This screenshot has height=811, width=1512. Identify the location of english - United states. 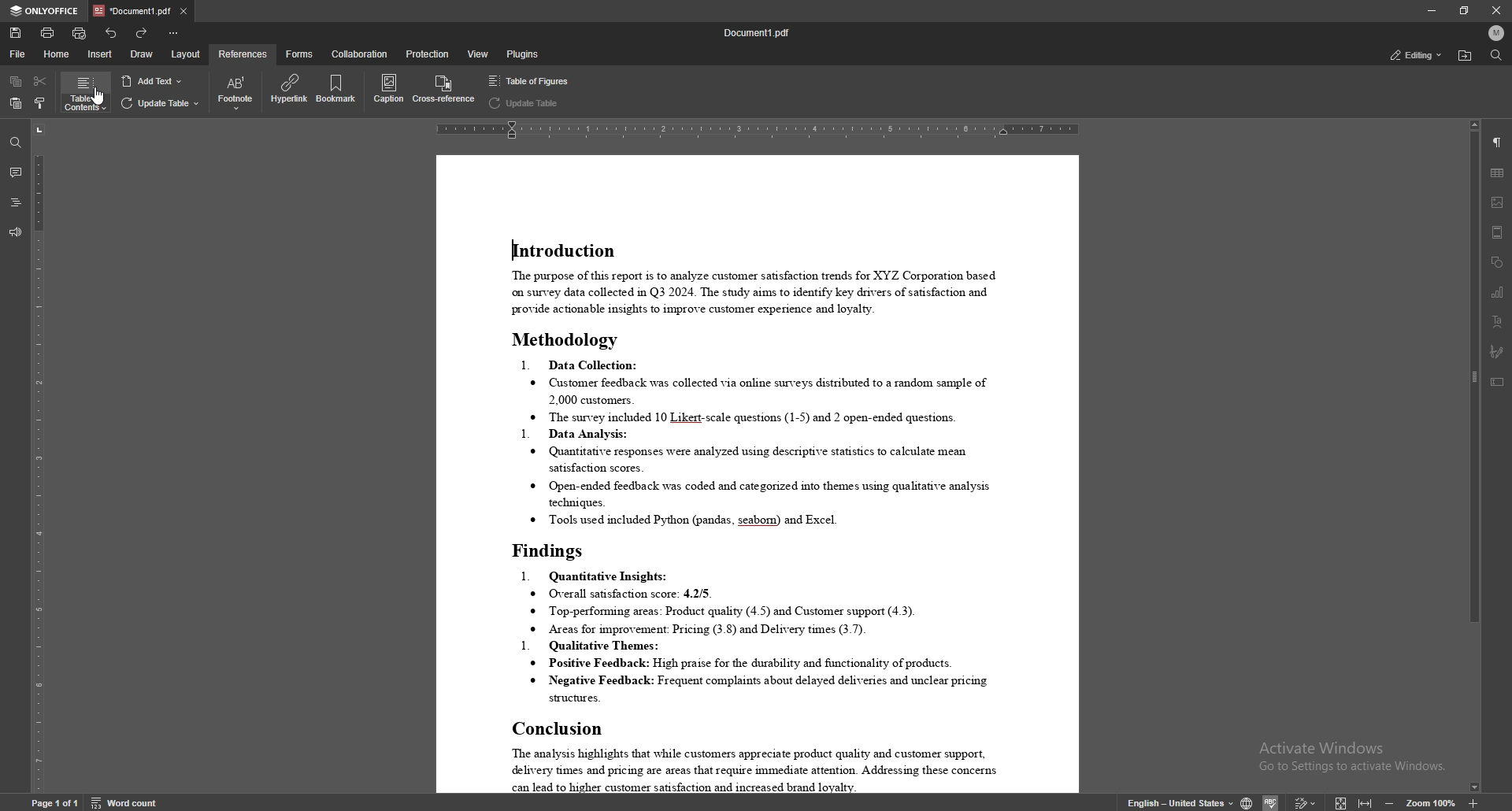
(1176, 803).